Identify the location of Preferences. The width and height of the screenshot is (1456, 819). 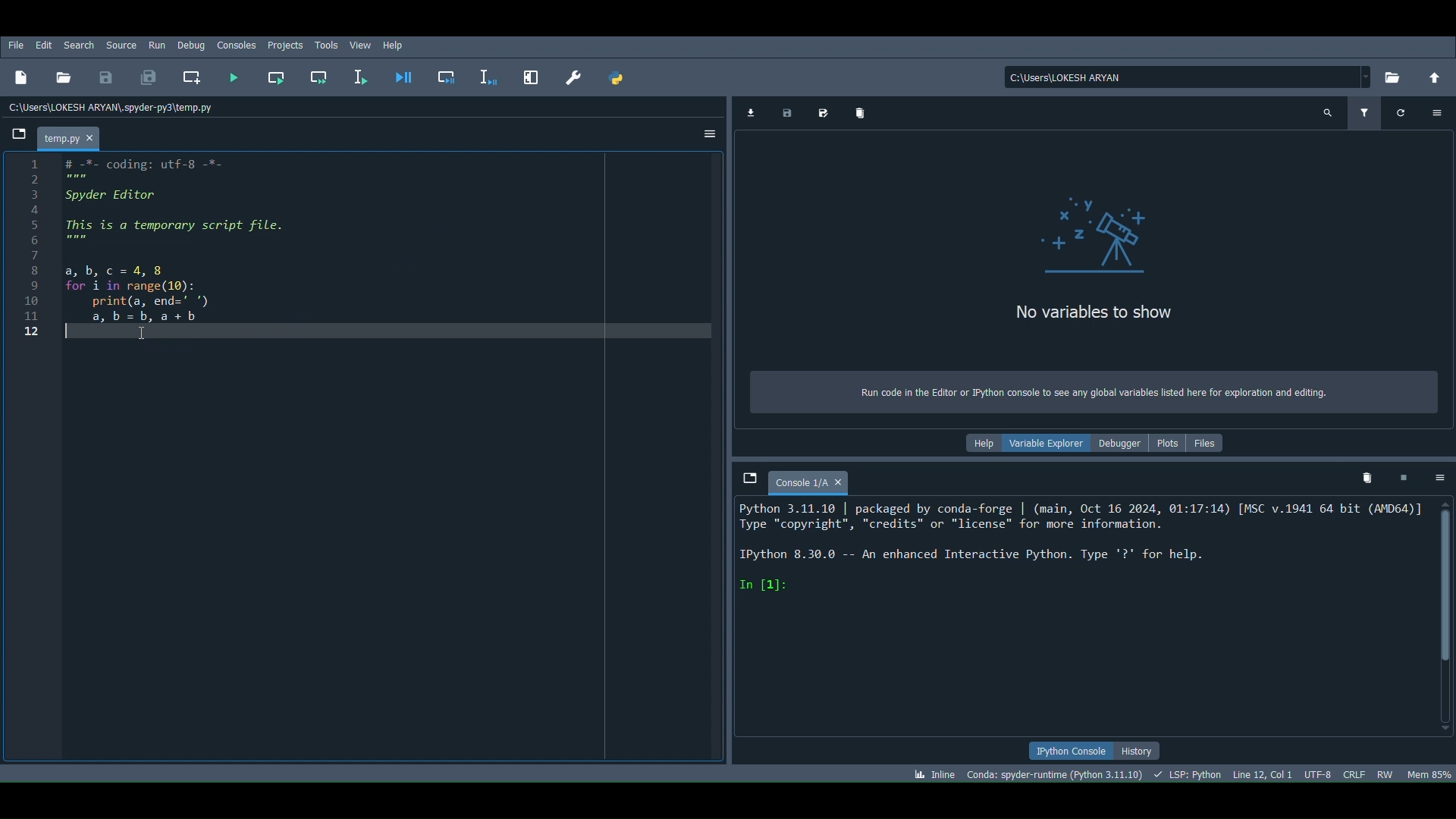
(573, 78).